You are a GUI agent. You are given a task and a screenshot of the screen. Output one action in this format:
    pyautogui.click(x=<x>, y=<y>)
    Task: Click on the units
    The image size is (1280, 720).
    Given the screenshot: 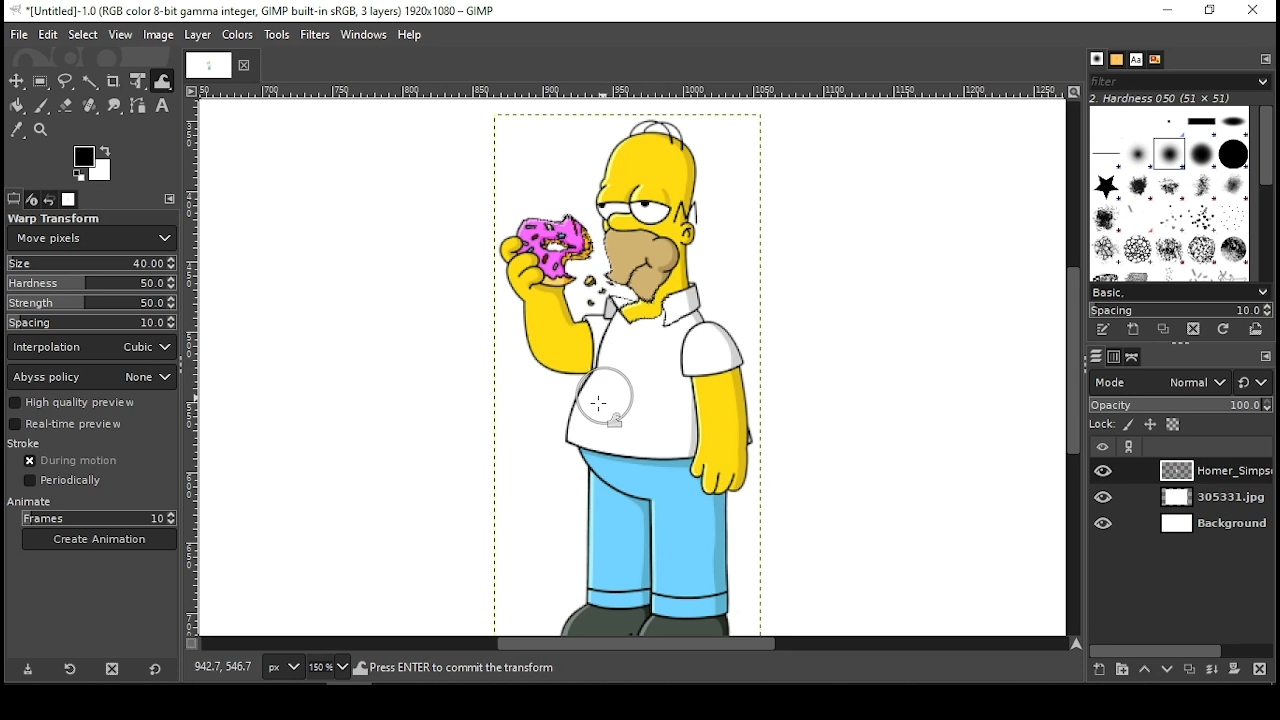 What is the action you would take?
    pyautogui.click(x=284, y=667)
    